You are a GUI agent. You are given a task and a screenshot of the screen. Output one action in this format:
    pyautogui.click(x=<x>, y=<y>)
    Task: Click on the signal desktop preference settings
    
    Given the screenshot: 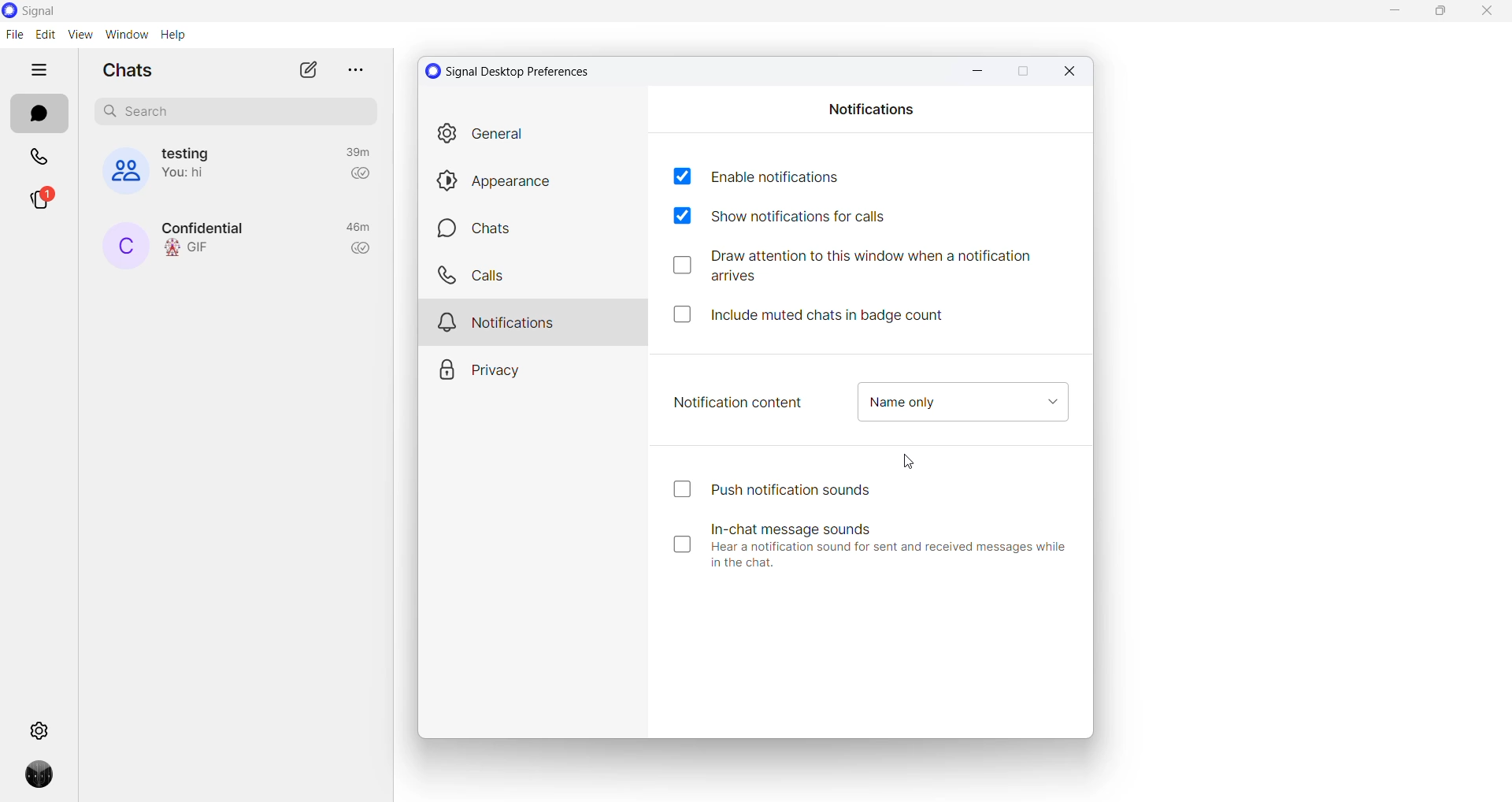 What is the action you would take?
    pyautogui.click(x=517, y=71)
    